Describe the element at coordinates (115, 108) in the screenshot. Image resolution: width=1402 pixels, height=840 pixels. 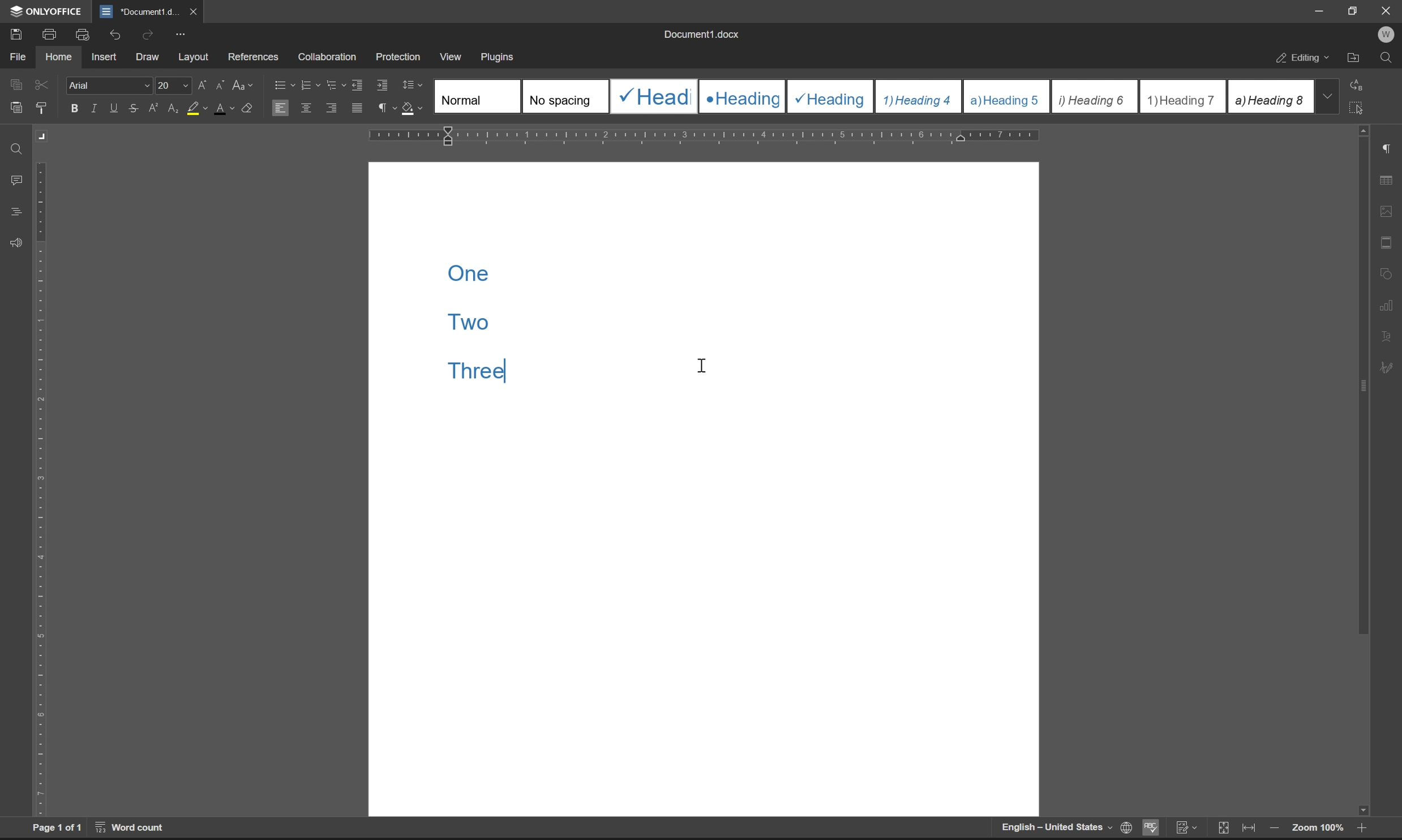
I see `underline` at that location.